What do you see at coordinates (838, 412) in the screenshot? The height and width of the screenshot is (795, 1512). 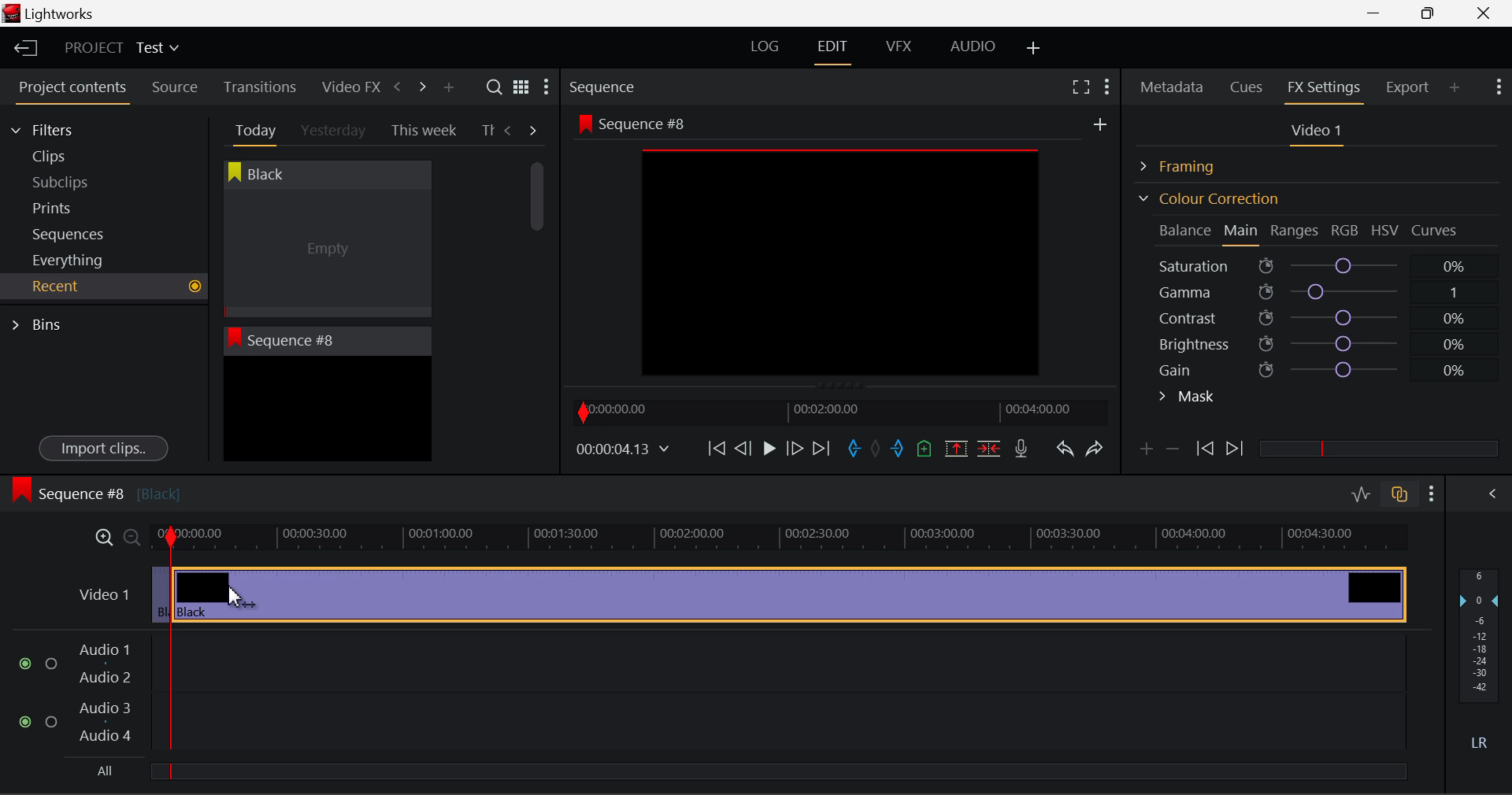 I see `Project Timeline Navigator` at bounding box center [838, 412].